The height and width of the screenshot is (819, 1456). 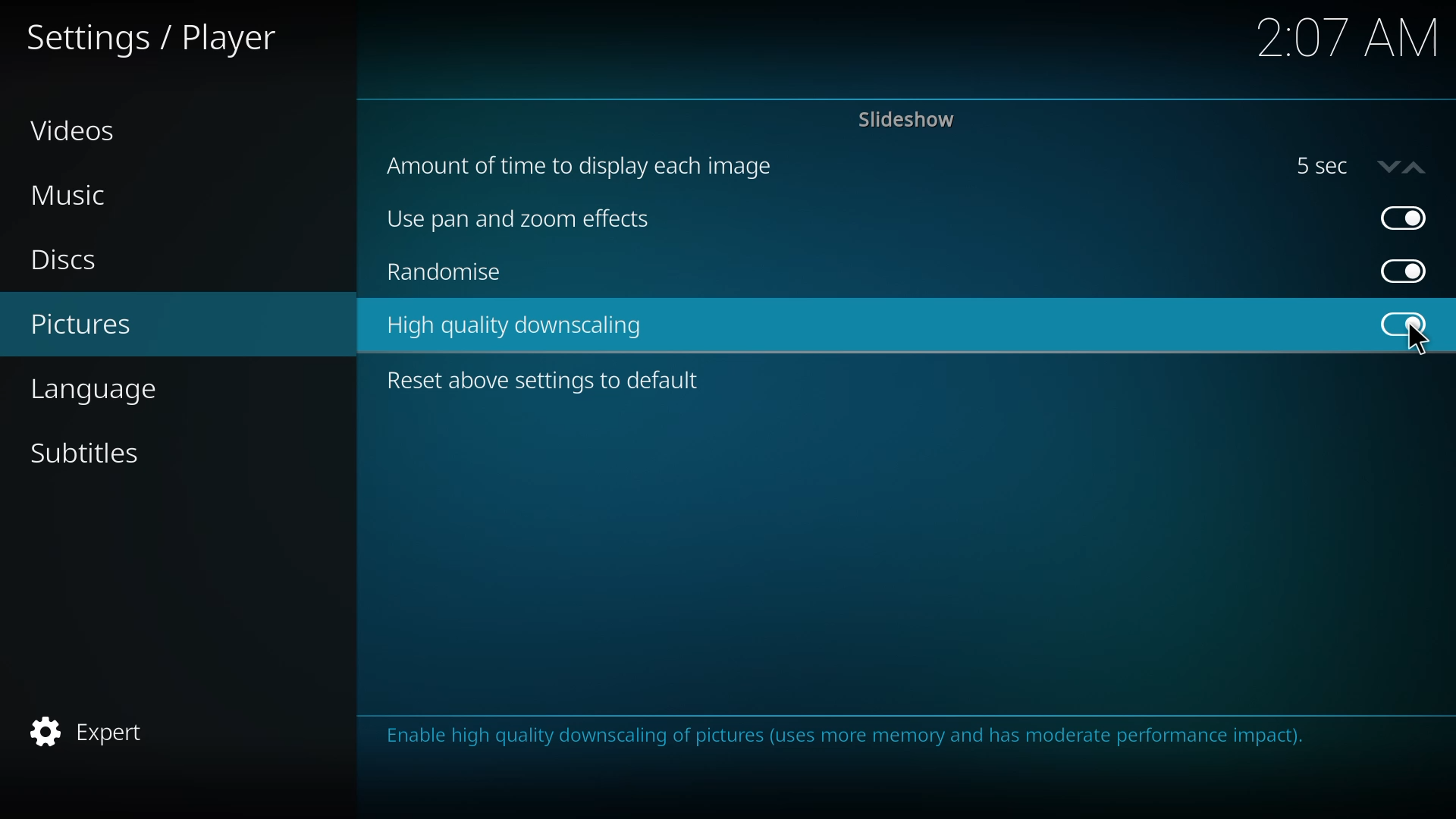 I want to click on use pan and zoom effects, so click(x=528, y=221).